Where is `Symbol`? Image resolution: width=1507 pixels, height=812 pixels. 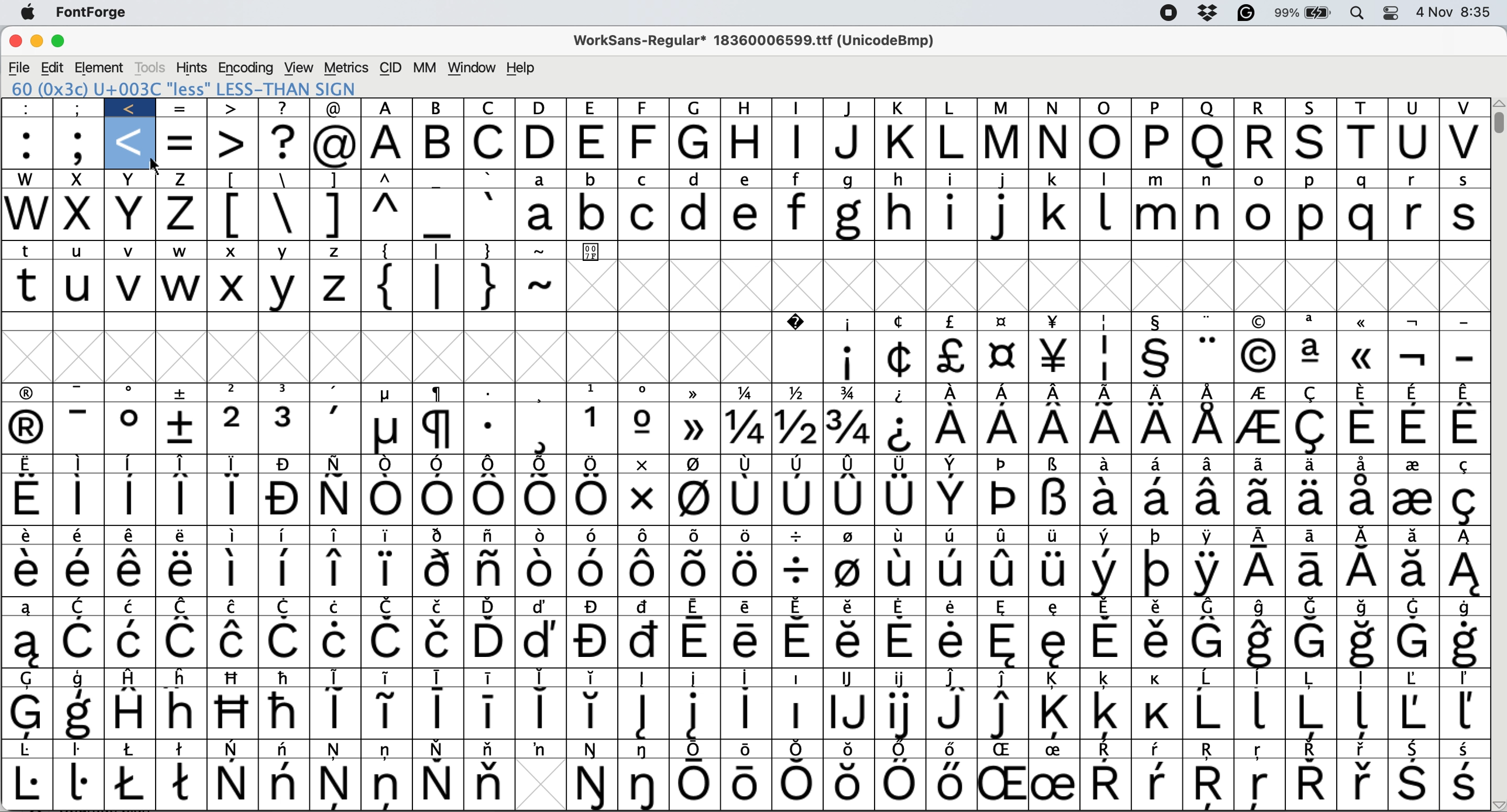
Symbol is located at coordinates (1312, 430).